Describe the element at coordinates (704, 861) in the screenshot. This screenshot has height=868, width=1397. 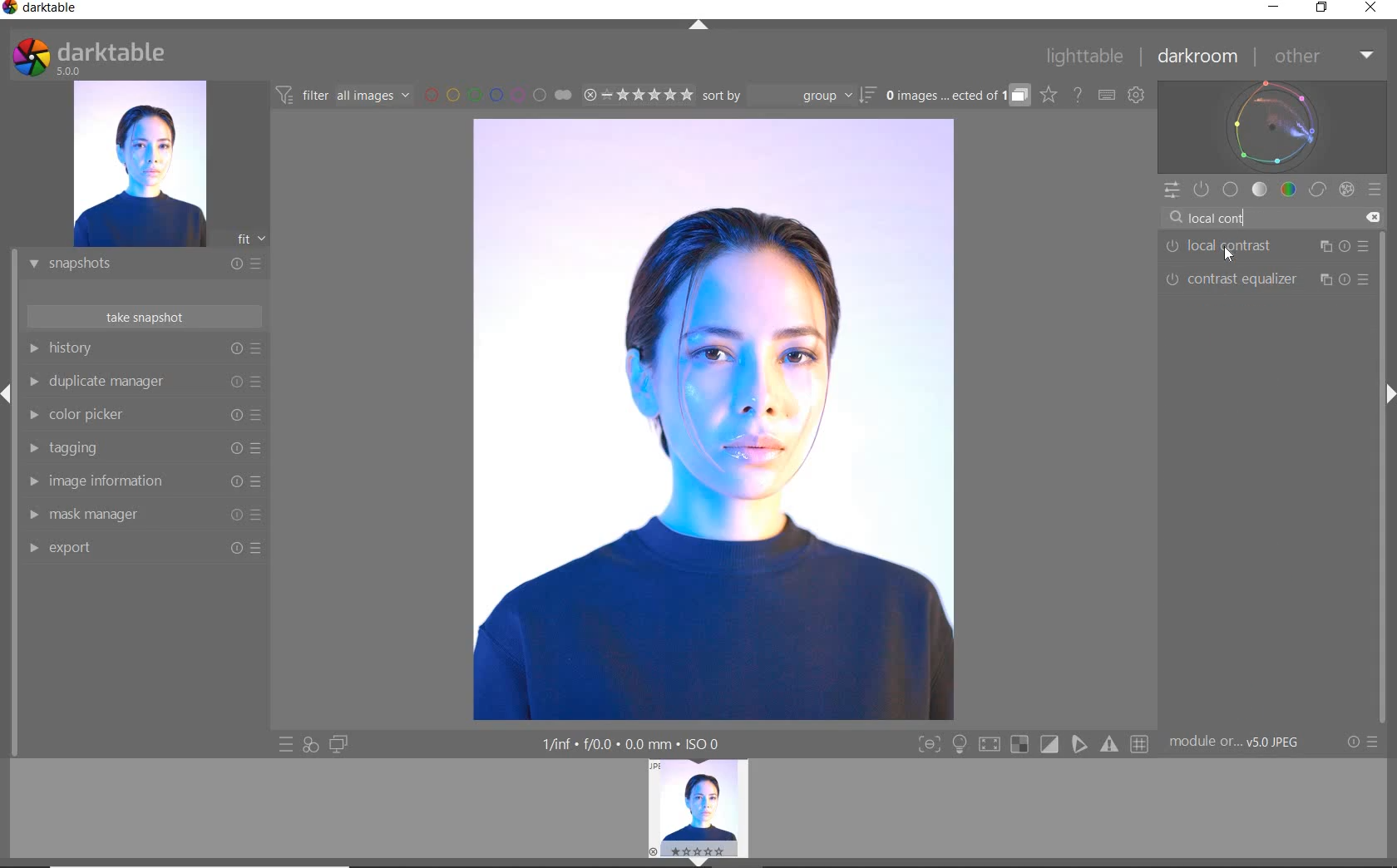
I see `EXPAND/COLLAPSE` at that location.